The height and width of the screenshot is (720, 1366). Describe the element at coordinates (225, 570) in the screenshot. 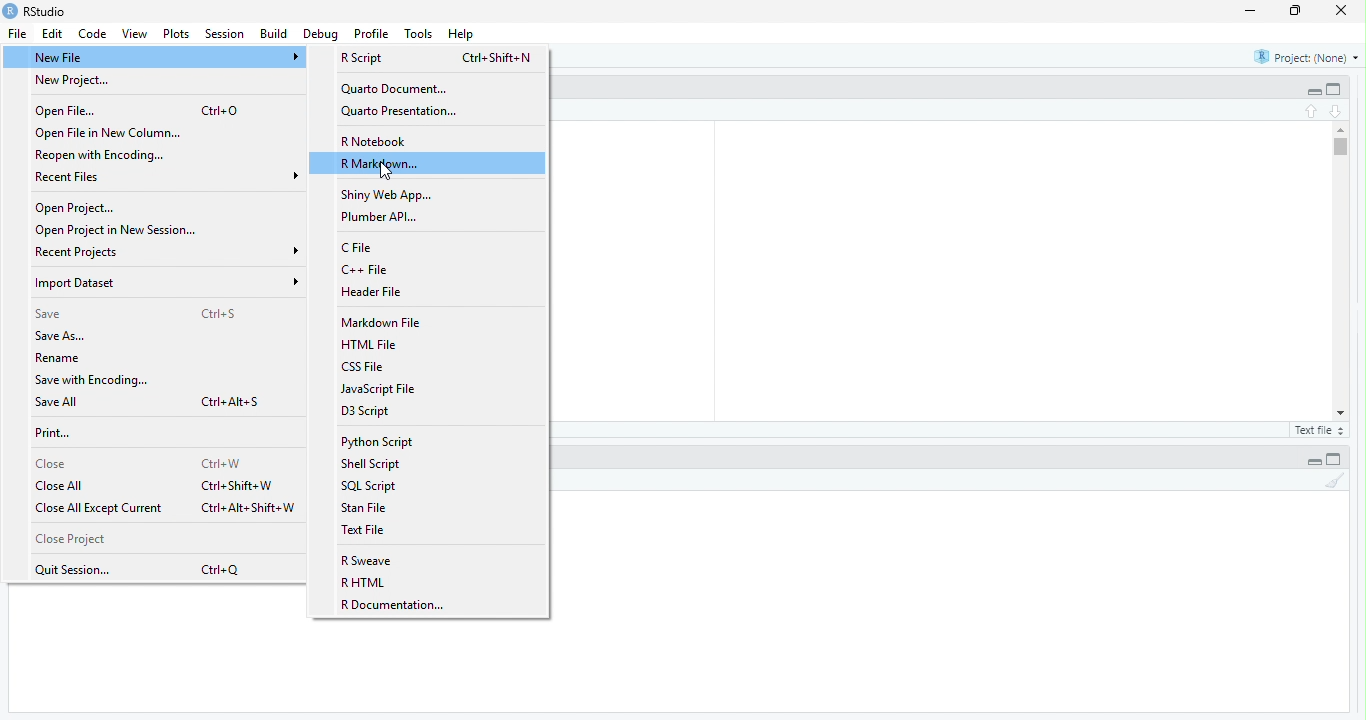

I see `Ctrl+Q` at that location.